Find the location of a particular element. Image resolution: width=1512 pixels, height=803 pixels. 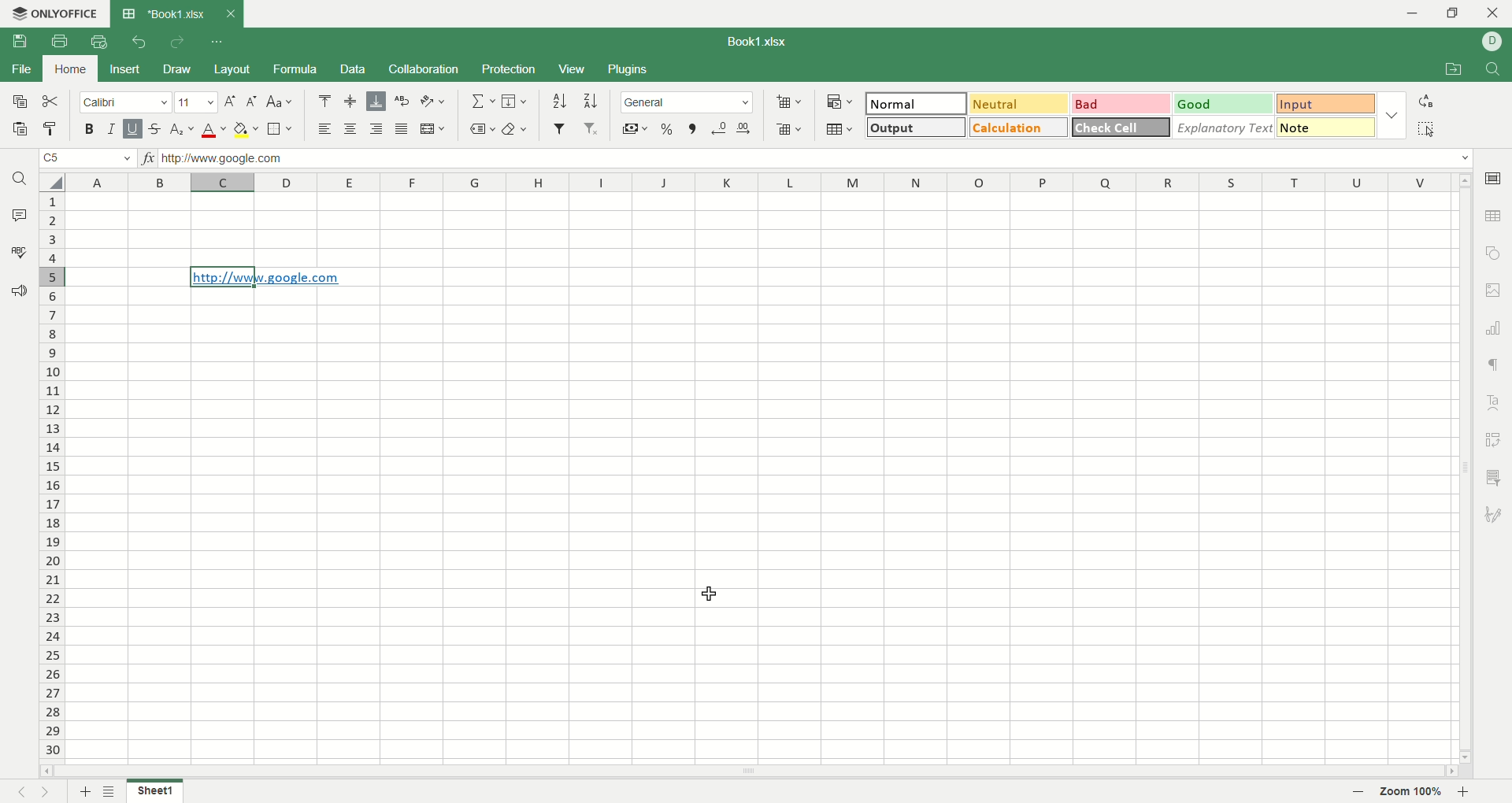

align left is located at coordinates (328, 130).